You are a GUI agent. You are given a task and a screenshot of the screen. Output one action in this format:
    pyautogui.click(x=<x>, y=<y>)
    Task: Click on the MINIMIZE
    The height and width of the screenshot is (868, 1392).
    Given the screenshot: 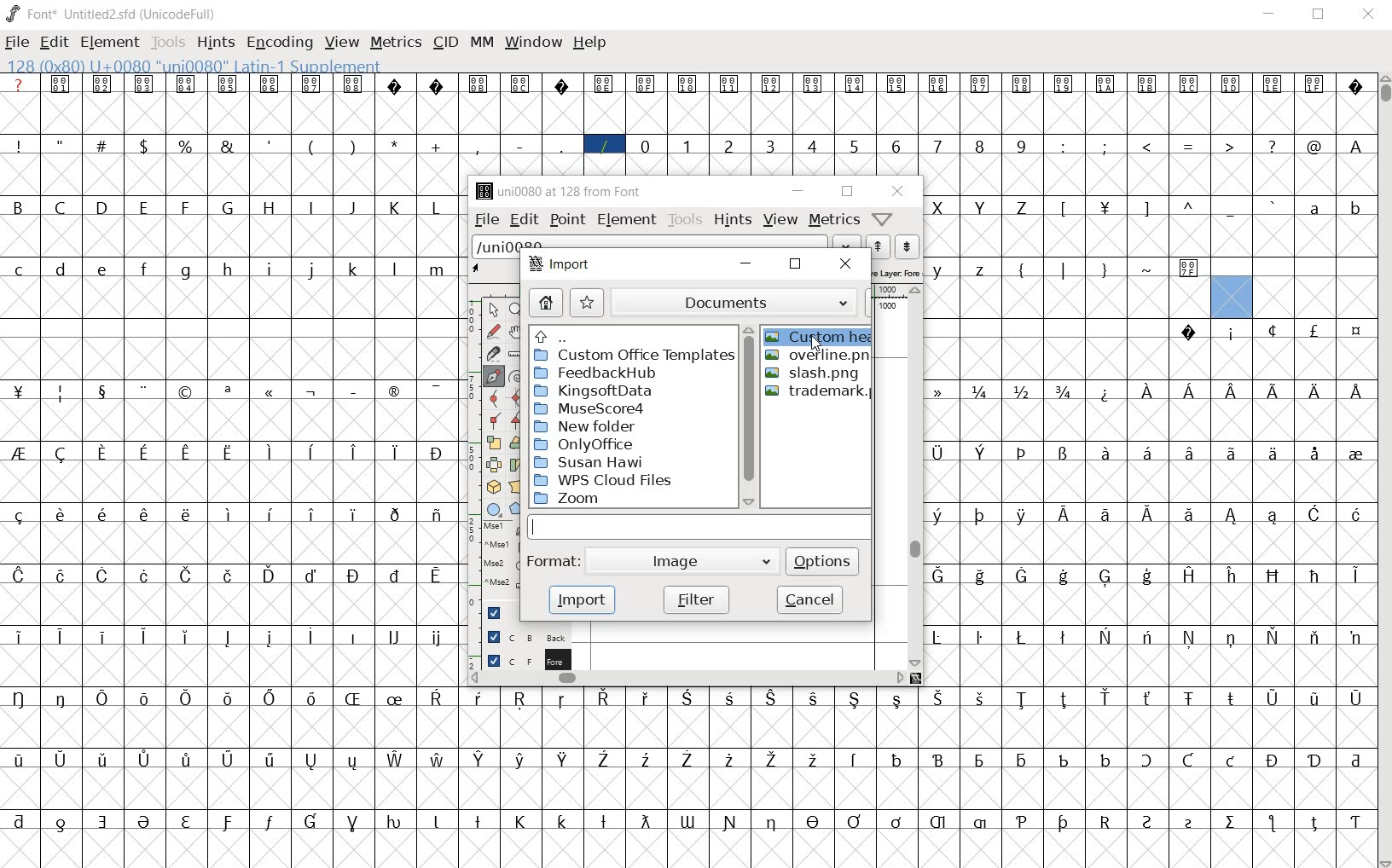 What is the action you would take?
    pyautogui.click(x=1271, y=13)
    